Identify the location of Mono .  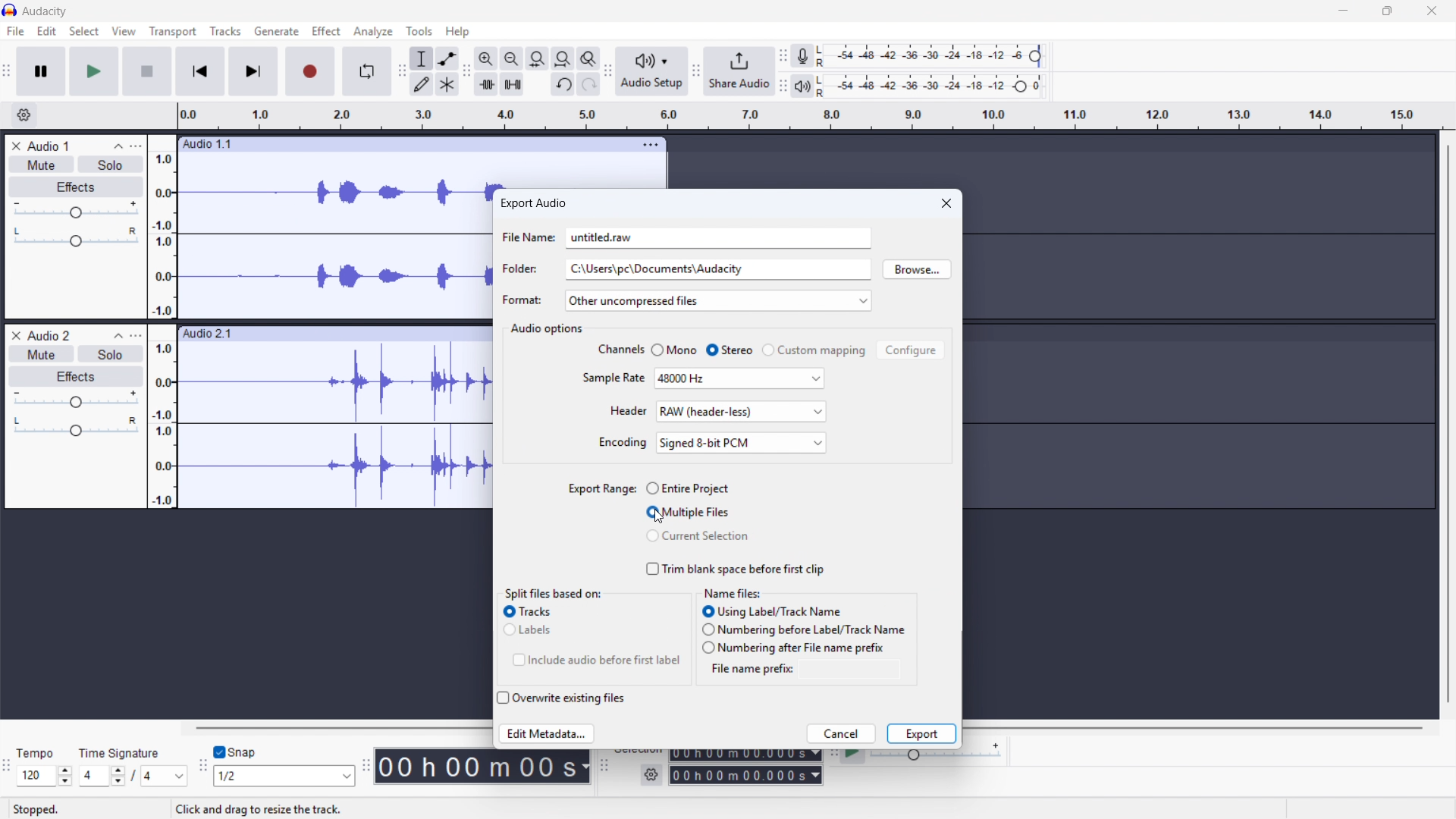
(676, 349).